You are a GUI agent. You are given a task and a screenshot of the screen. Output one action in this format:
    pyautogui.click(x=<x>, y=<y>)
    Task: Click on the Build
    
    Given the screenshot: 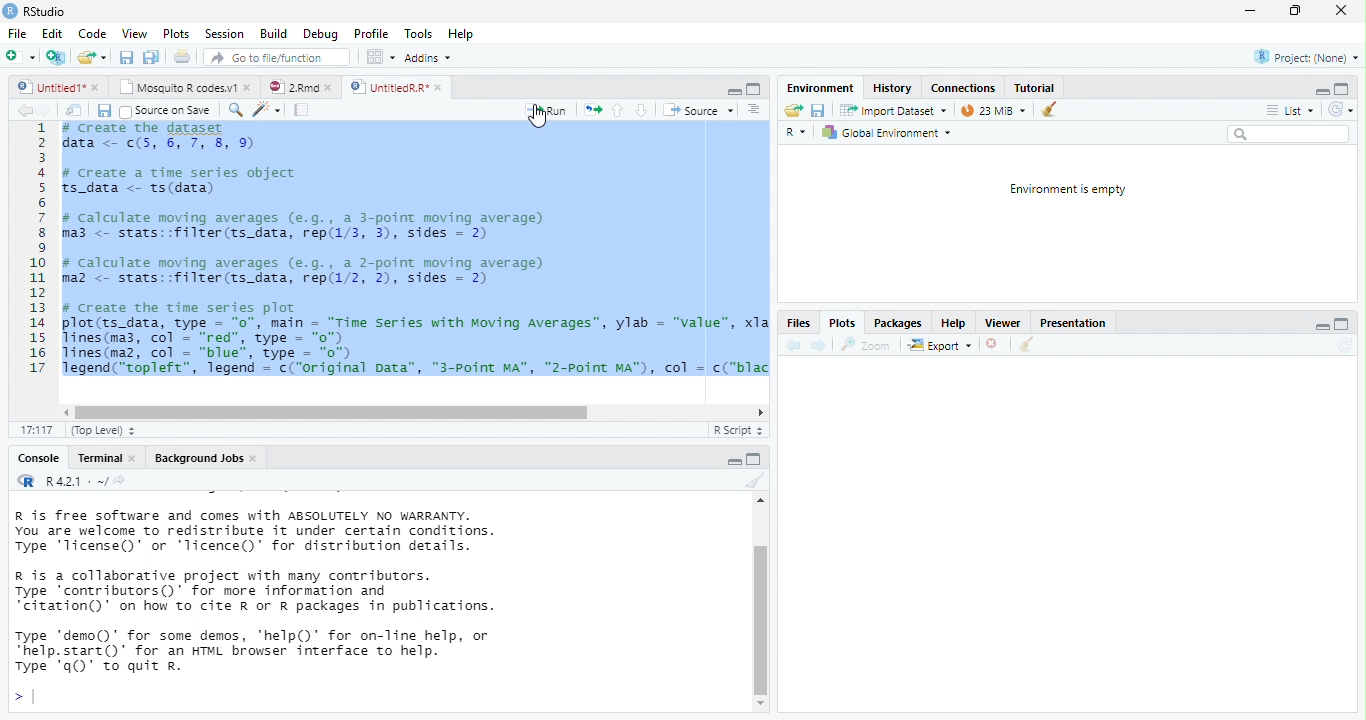 What is the action you would take?
    pyautogui.click(x=273, y=34)
    